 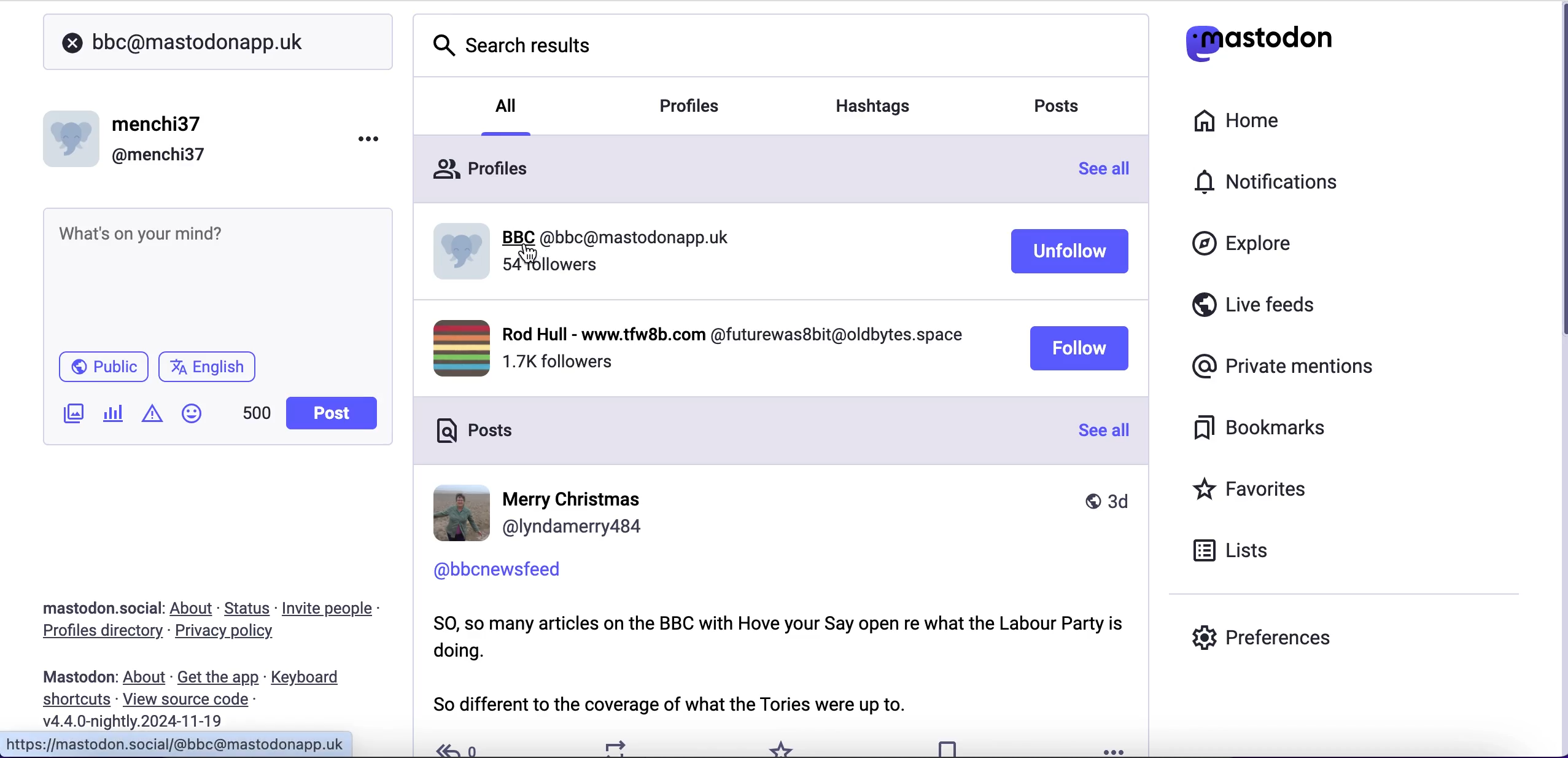 What do you see at coordinates (1262, 637) in the screenshot?
I see `preferences` at bounding box center [1262, 637].